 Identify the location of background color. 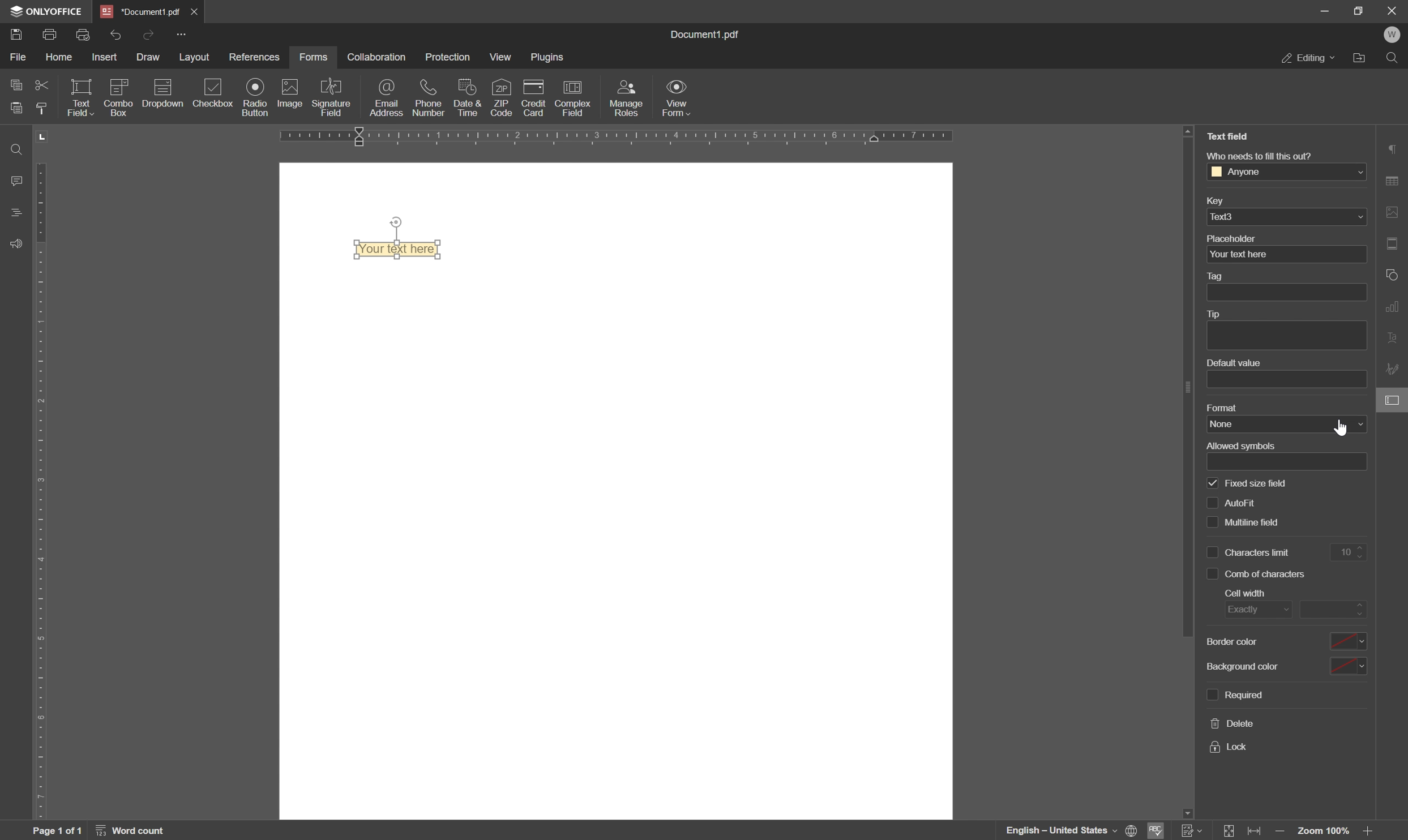
(1241, 667).